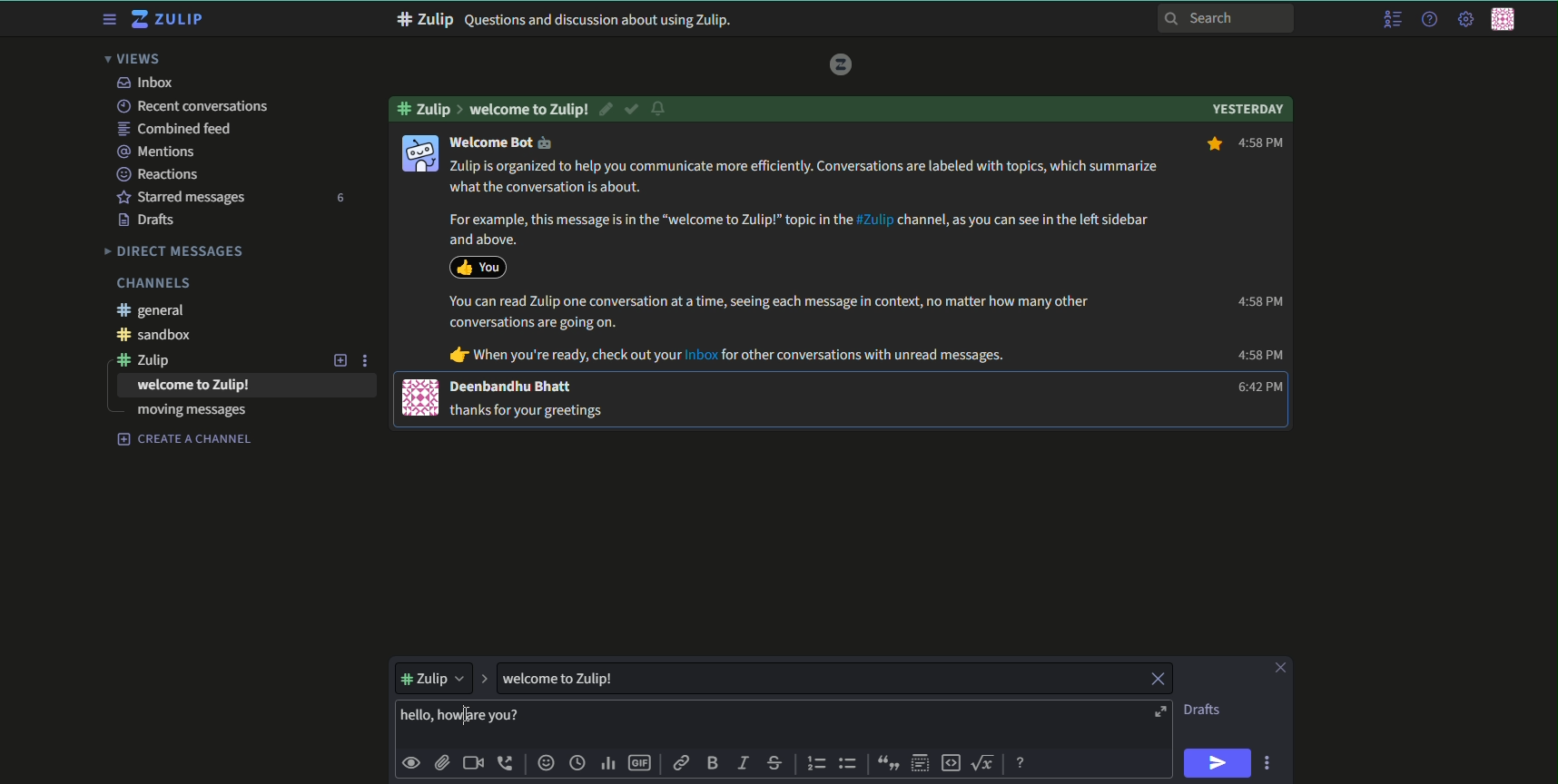 The width and height of the screenshot is (1558, 784). I want to click on Drafts, so click(1204, 710).